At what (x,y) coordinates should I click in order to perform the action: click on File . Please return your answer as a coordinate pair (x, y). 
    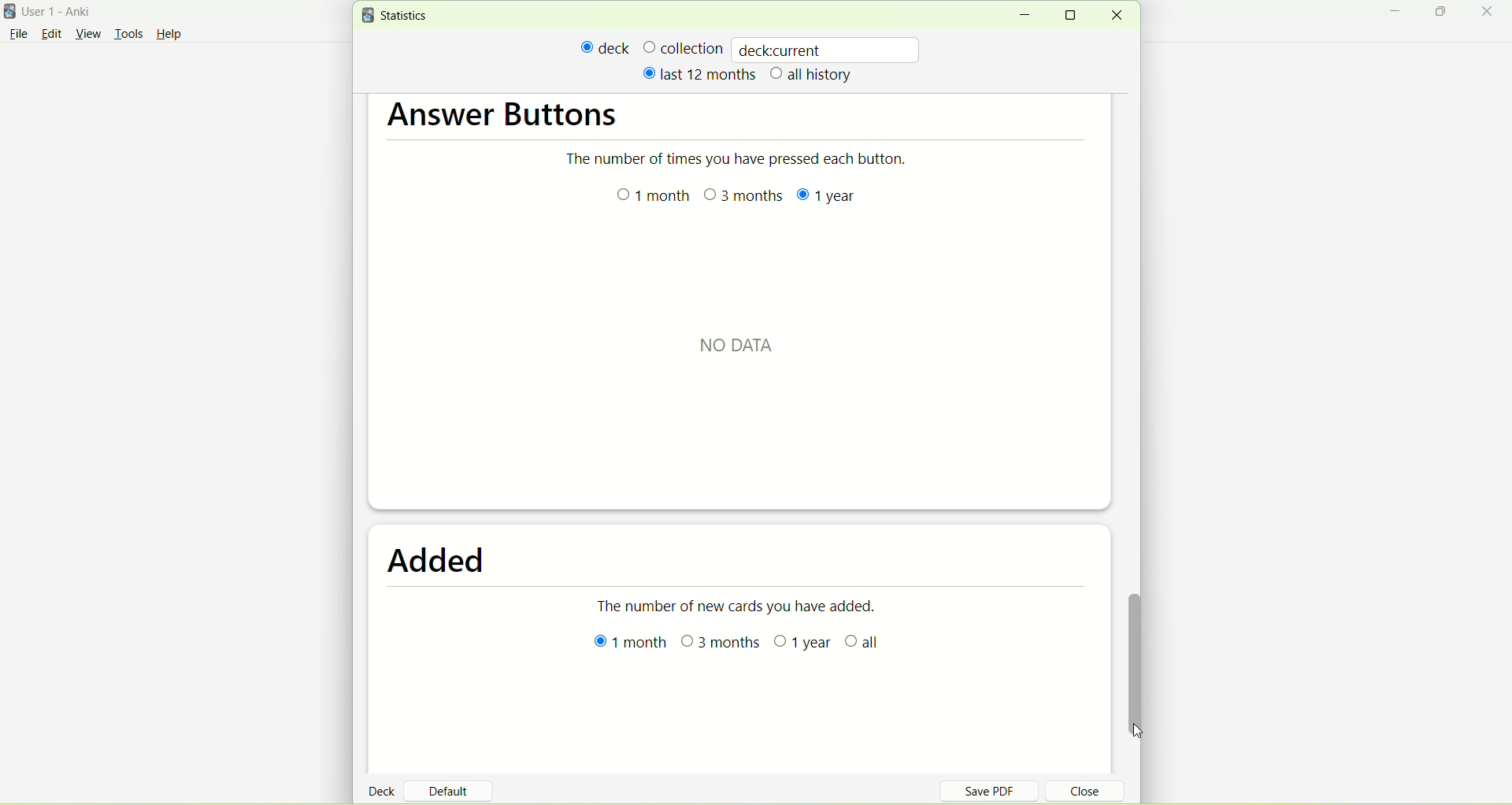
    Looking at the image, I should click on (18, 34).